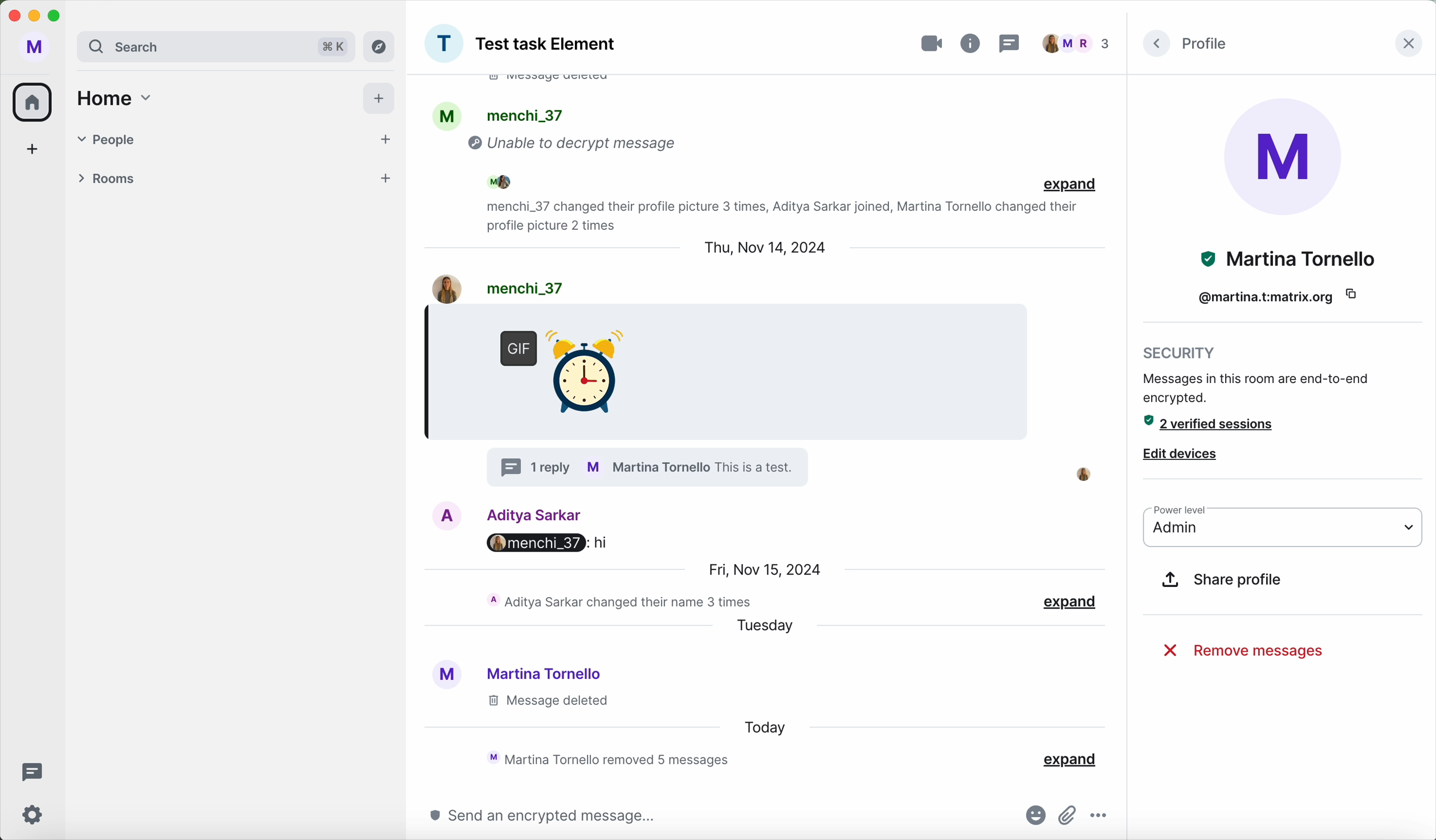 This screenshot has height=840, width=1436. Describe the element at coordinates (521, 181) in the screenshot. I see `people` at that location.